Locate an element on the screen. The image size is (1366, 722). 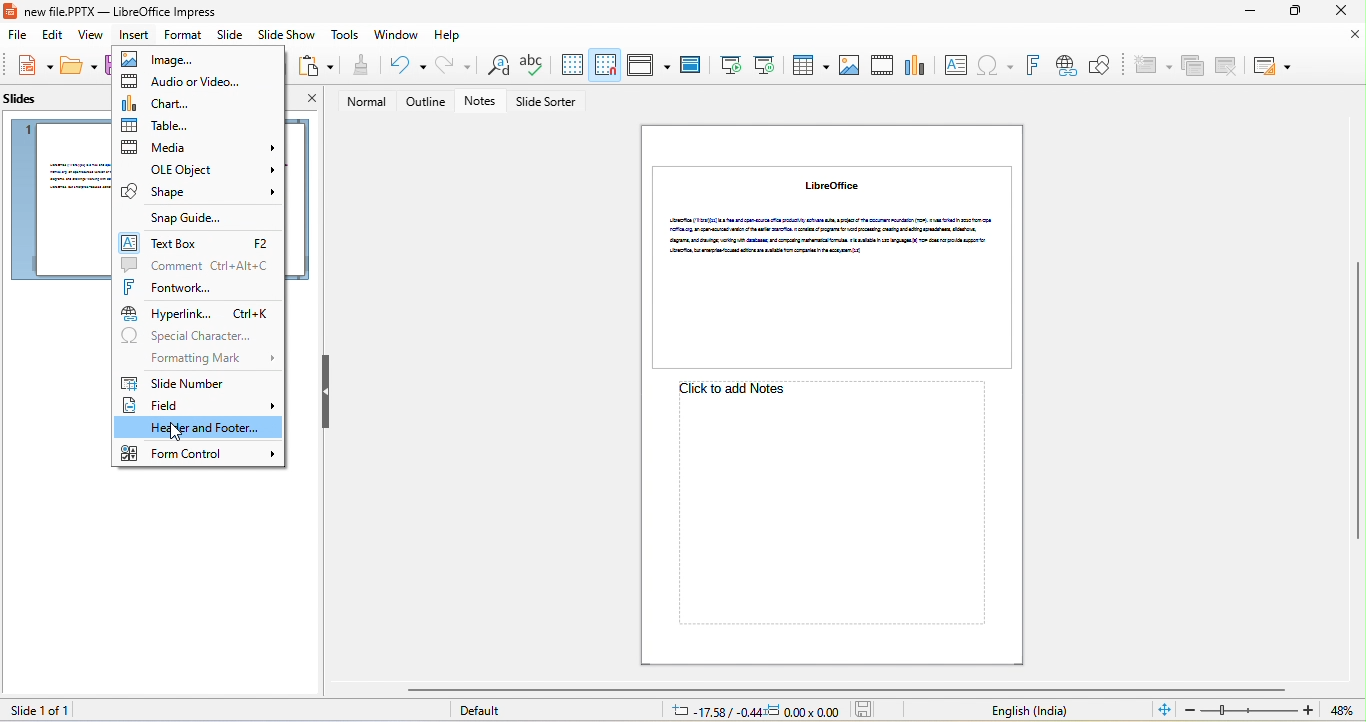
hyperlink is located at coordinates (197, 313).